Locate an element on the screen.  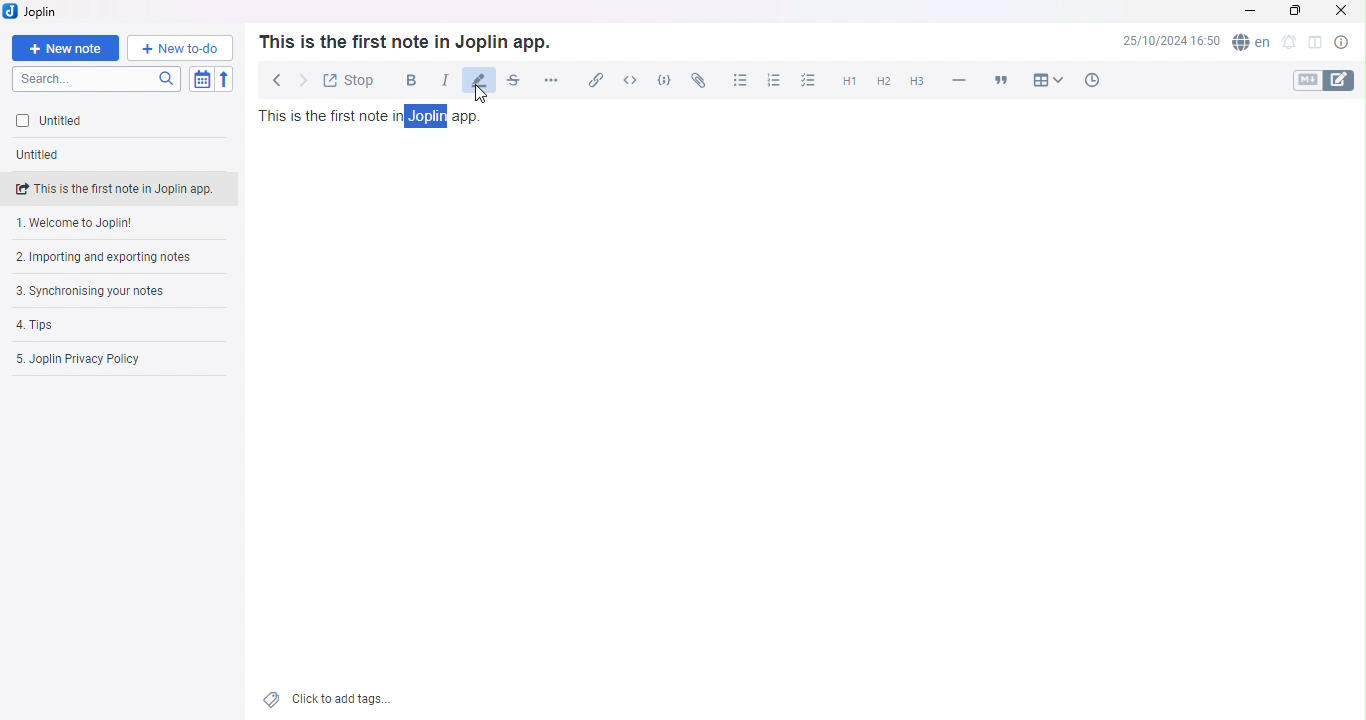
Toggle editors is located at coordinates (1321, 81).